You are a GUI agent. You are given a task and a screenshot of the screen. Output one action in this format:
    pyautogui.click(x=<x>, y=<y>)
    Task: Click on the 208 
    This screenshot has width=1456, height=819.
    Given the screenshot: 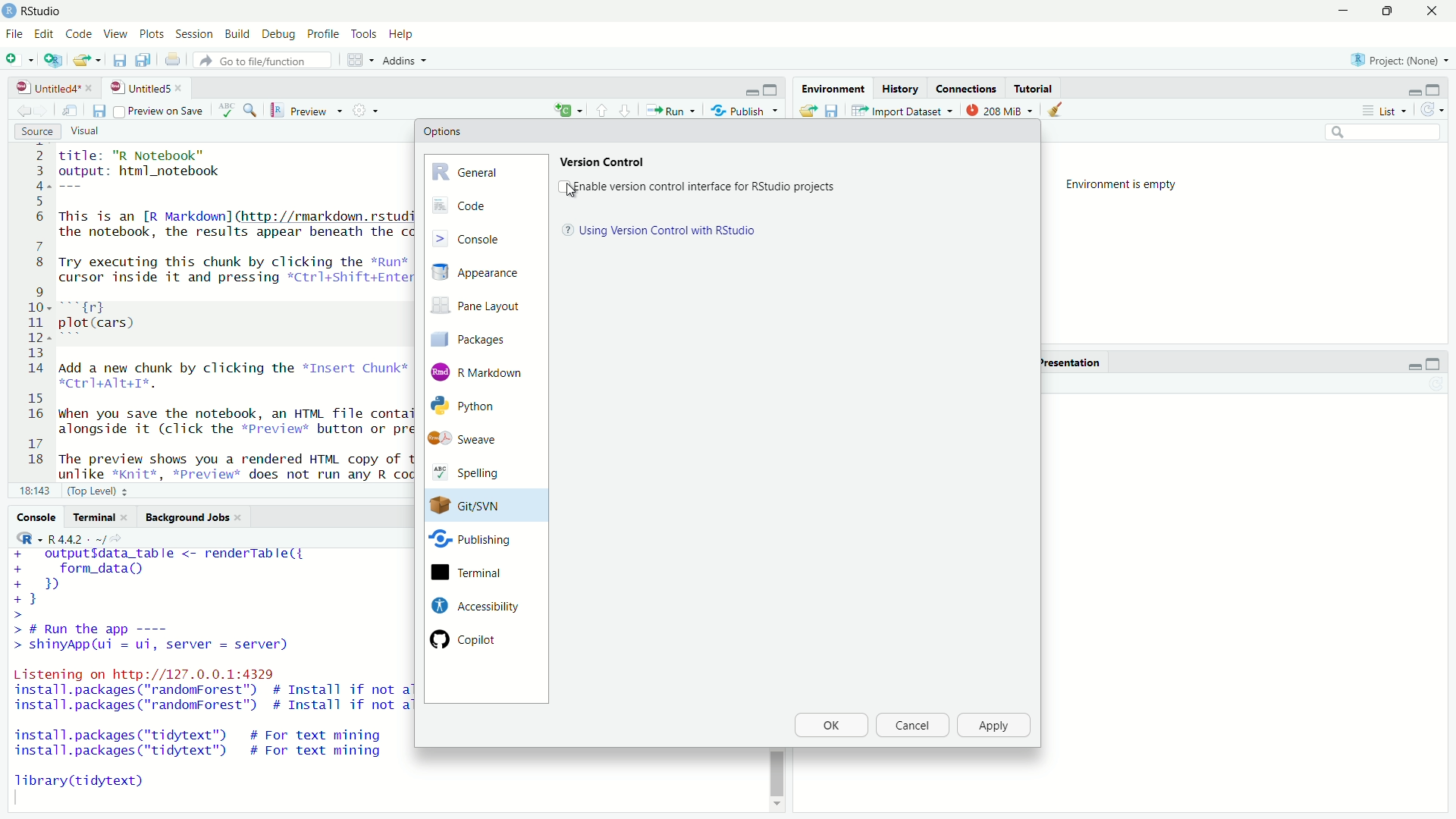 What is the action you would take?
    pyautogui.click(x=1000, y=109)
    